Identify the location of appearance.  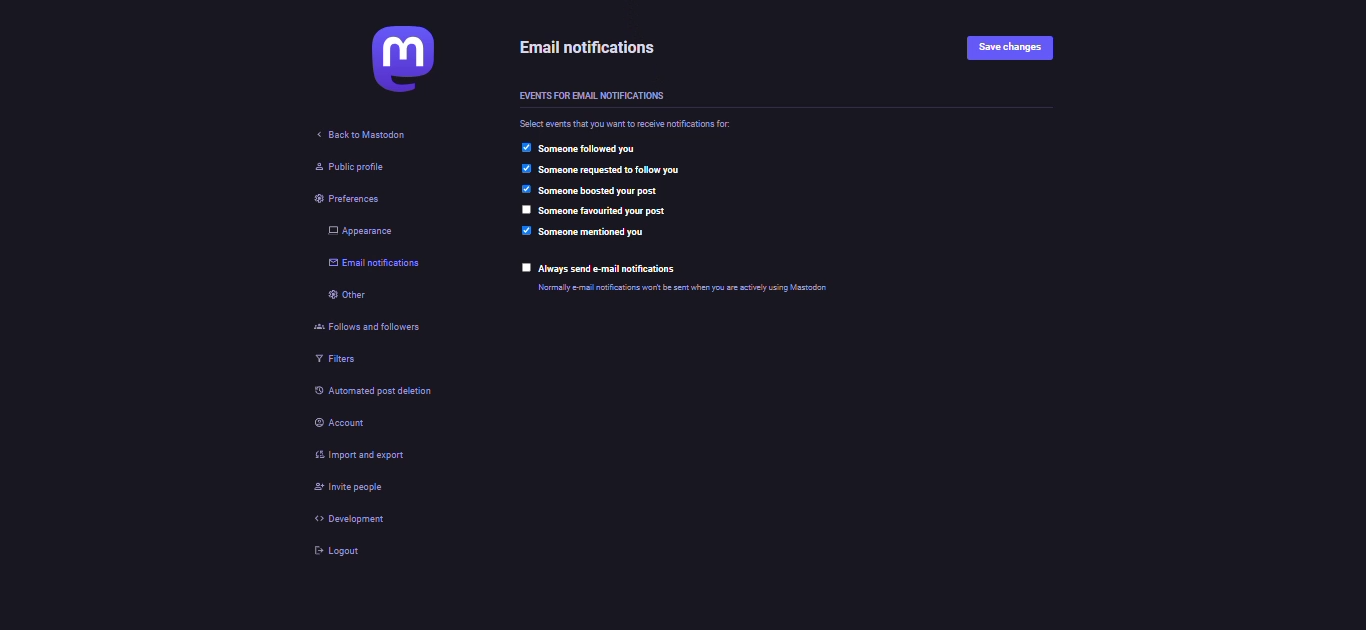
(357, 232).